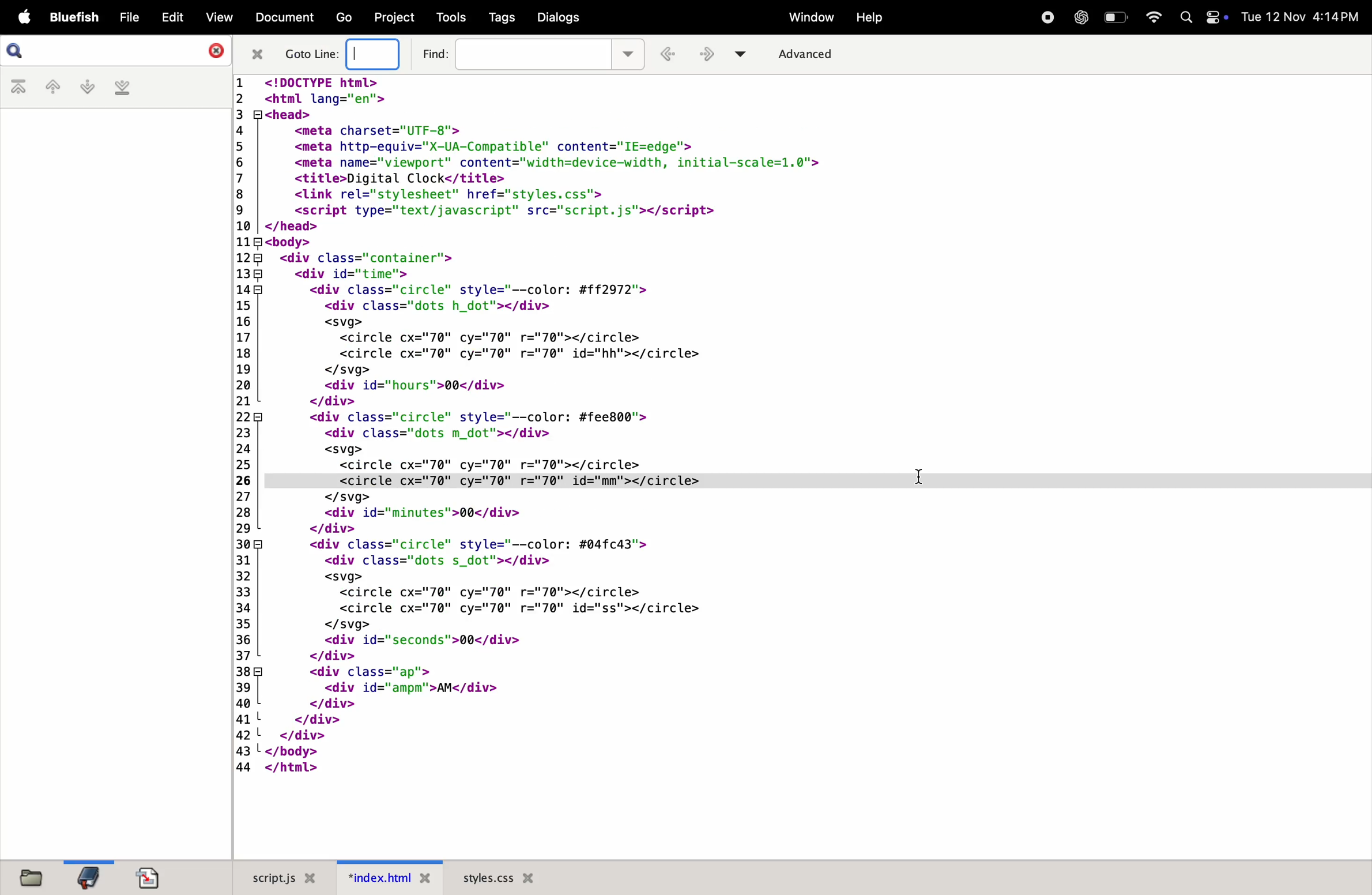  I want to click on window, so click(807, 17).